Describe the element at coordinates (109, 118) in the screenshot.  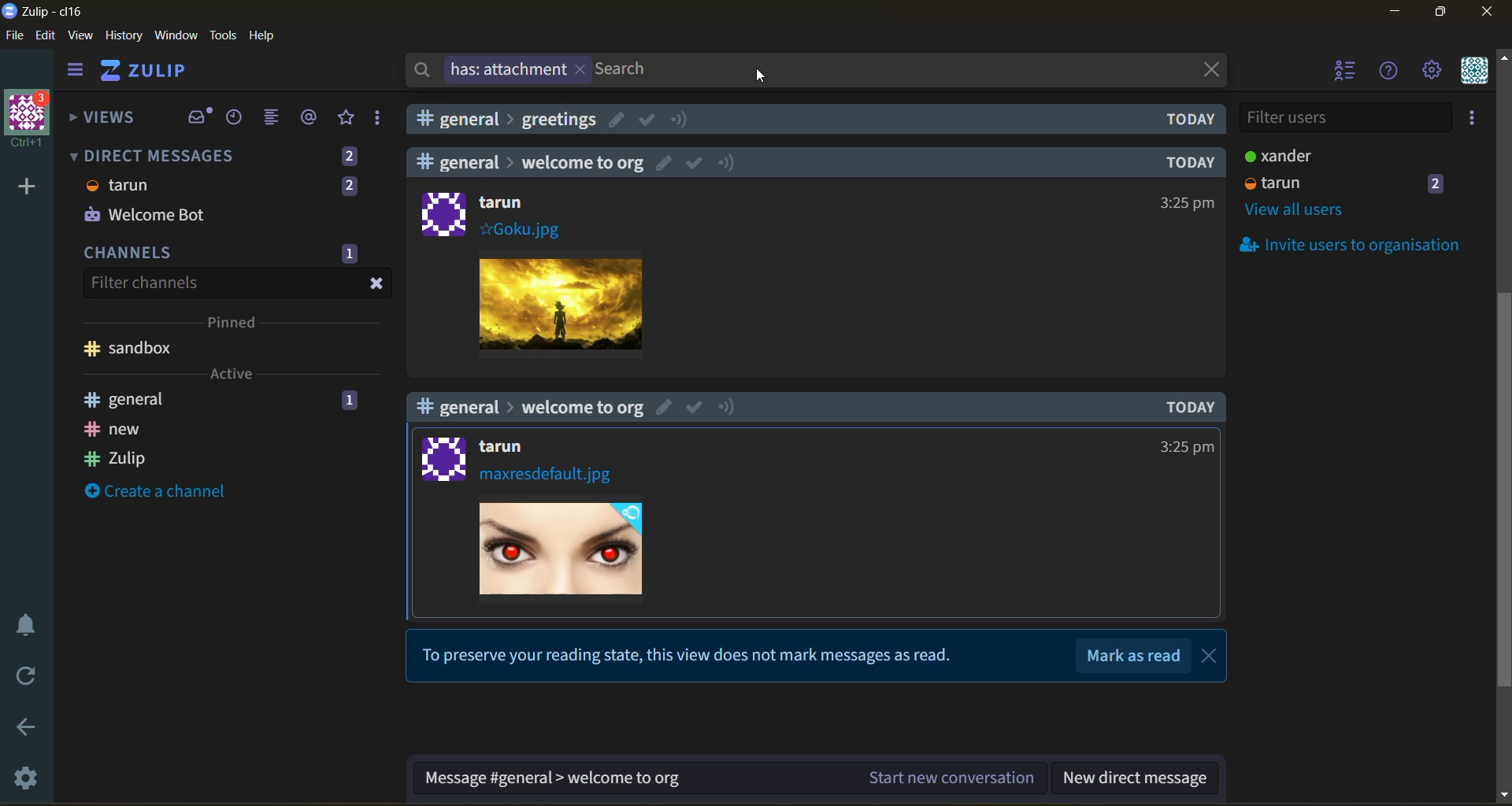
I see `views` at that location.